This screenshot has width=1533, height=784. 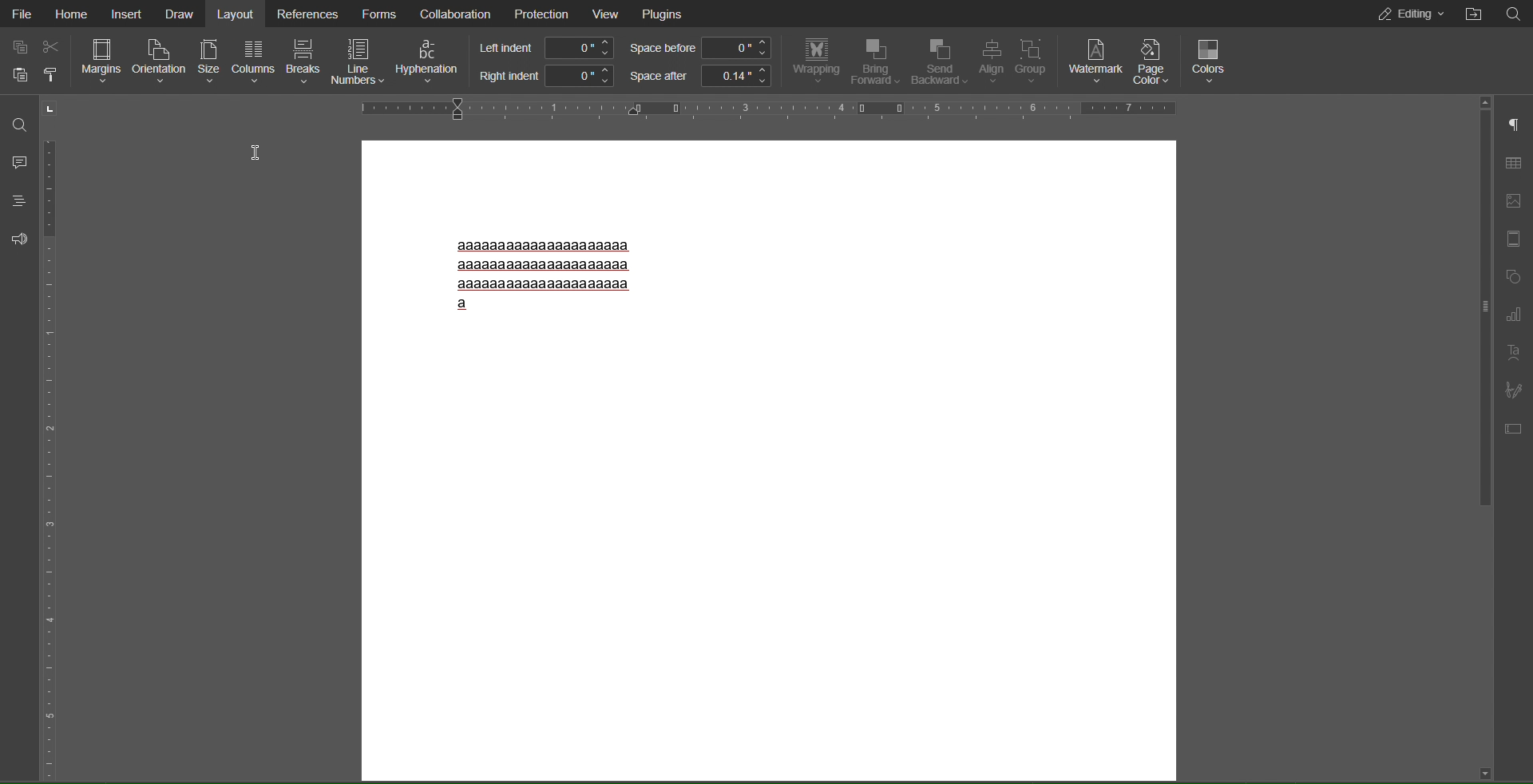 I want to click on Size, so click(x=210, y=62).